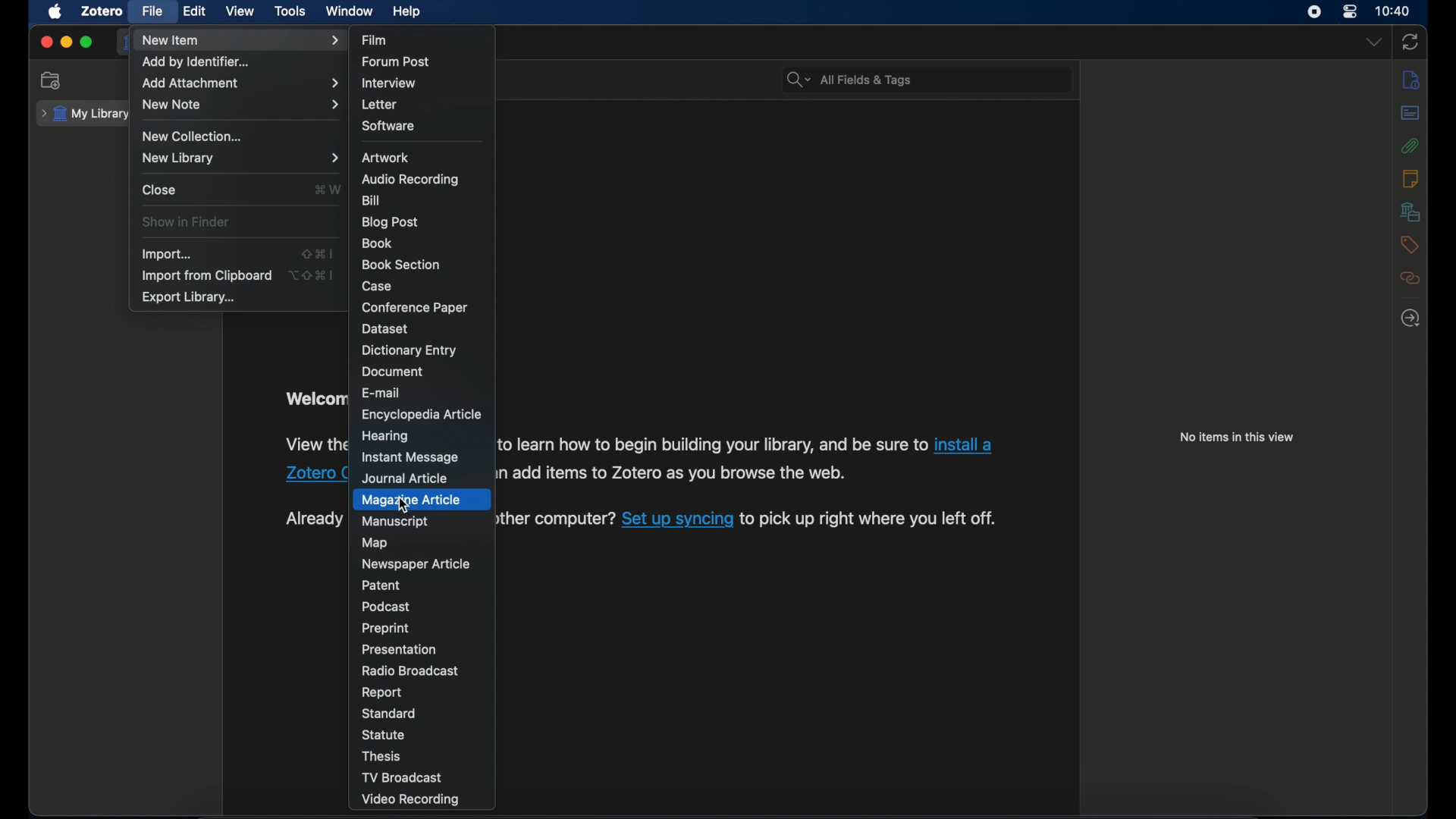  Describe the element at coordinates (401, 265) in the screenshot. I see `book section` at that location.